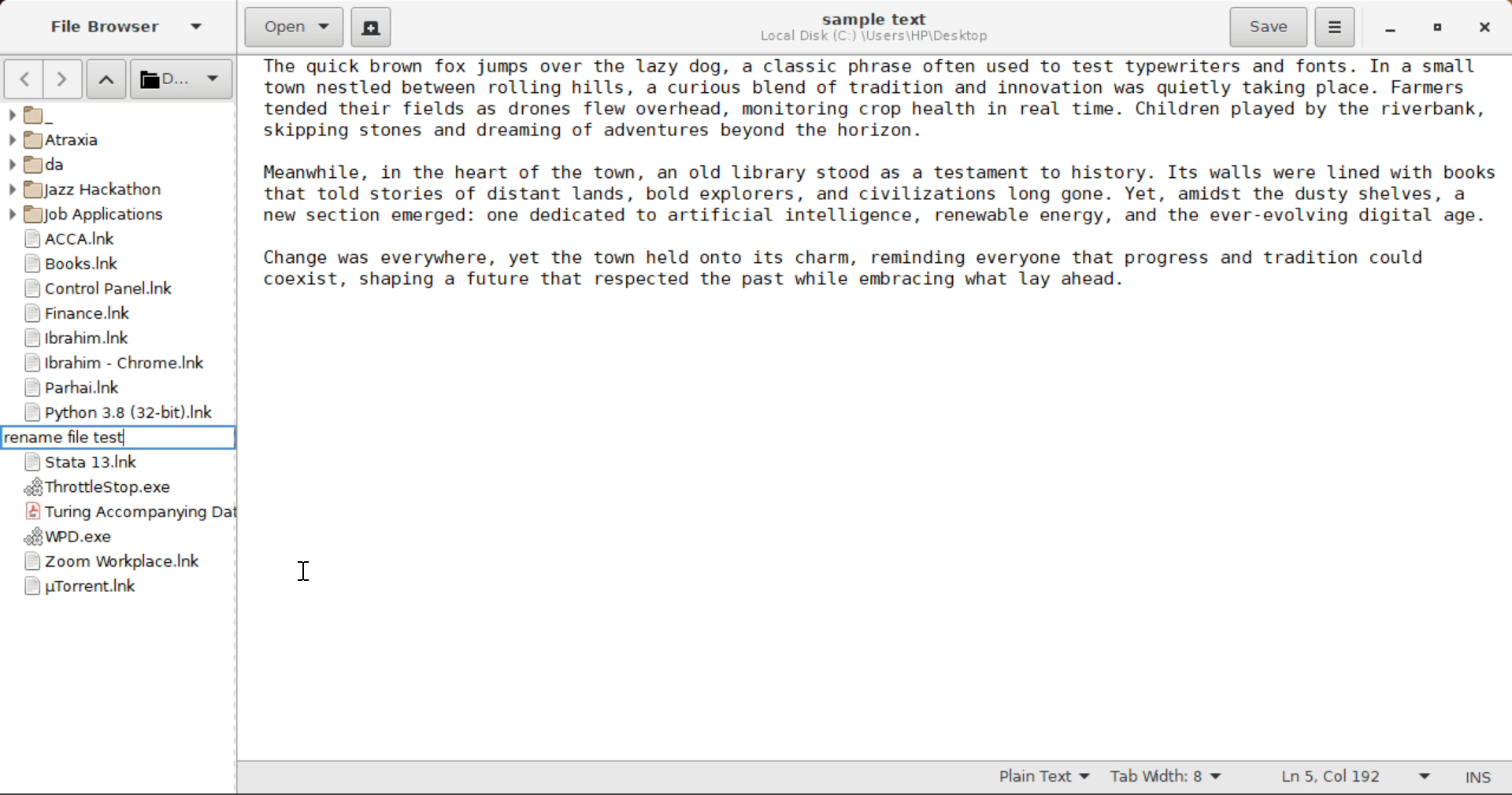 Image resolution: width=1512 pixels, height=795 pixels. Describe the element at coordinates (119, 162) in the screenshot. I see `da Folder` at that location.